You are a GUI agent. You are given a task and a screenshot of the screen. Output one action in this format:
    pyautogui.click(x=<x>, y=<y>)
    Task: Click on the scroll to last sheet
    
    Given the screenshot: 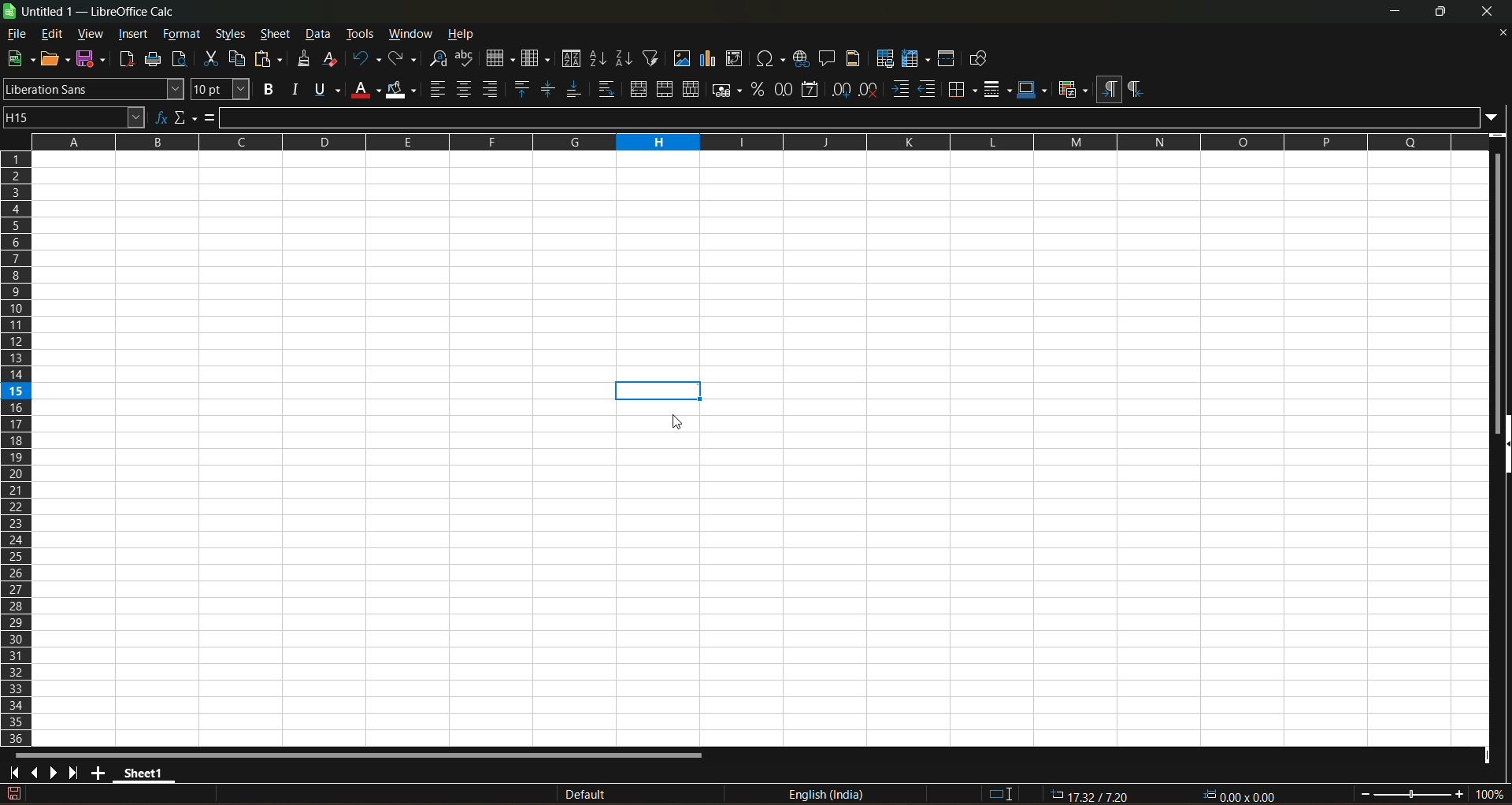 What is the action you would take?
    pyautogui.click(x=76, y=772)
    